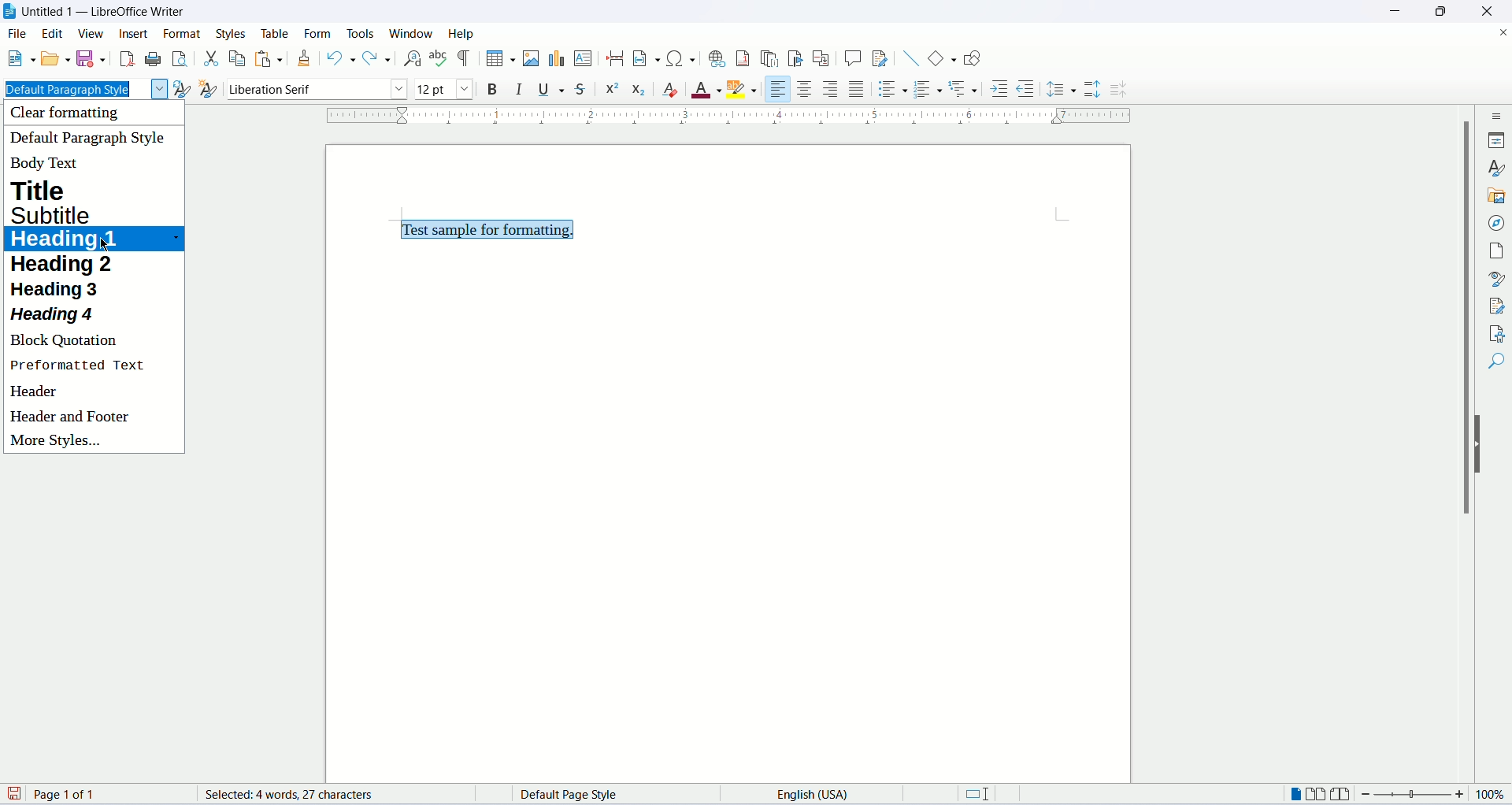 The width and height of the screenshot is (1512, 805). I want to click on sidebar, so click(1497, 118).